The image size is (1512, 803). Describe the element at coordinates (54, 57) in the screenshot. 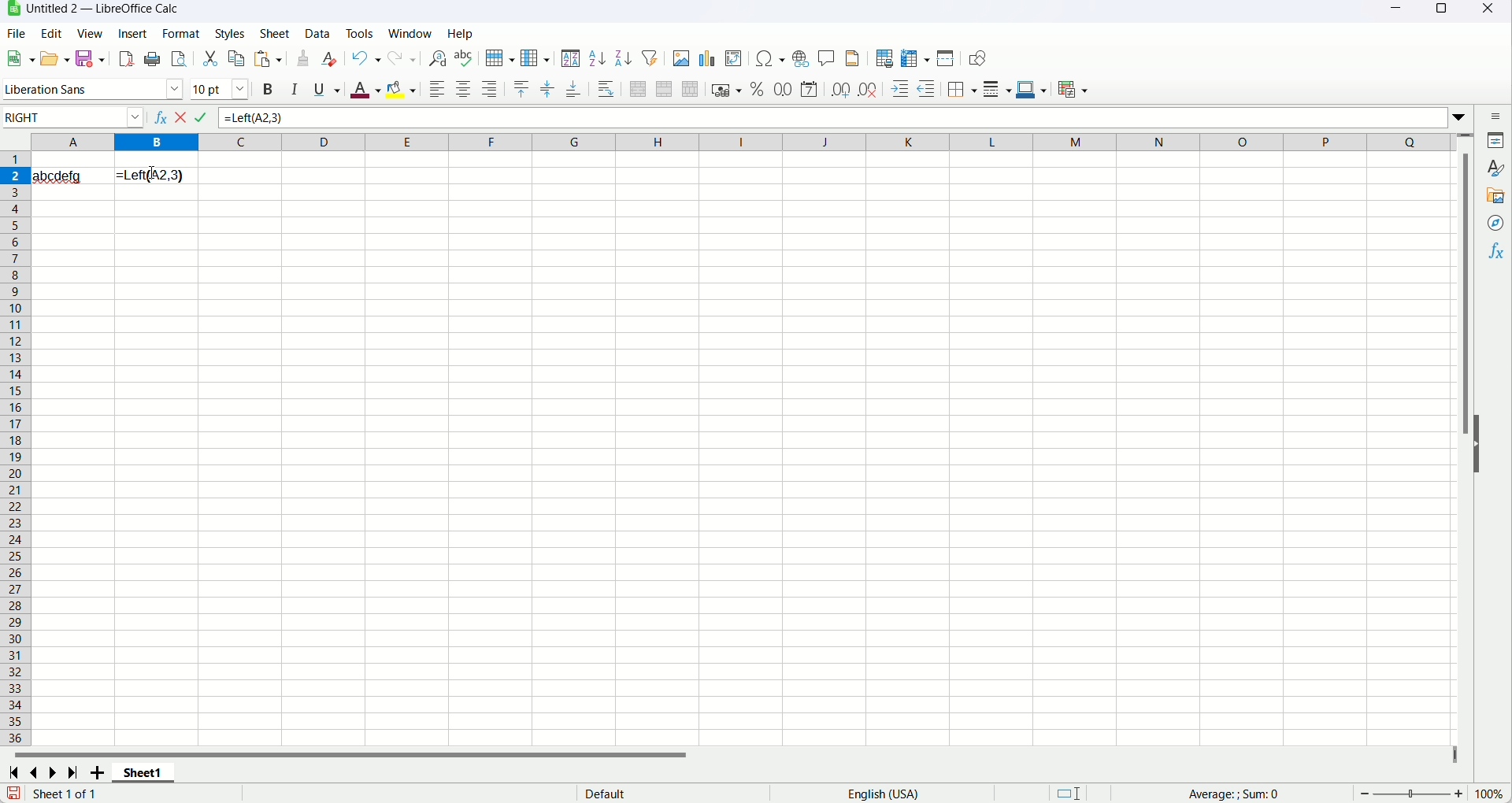

I see `open` at that location.